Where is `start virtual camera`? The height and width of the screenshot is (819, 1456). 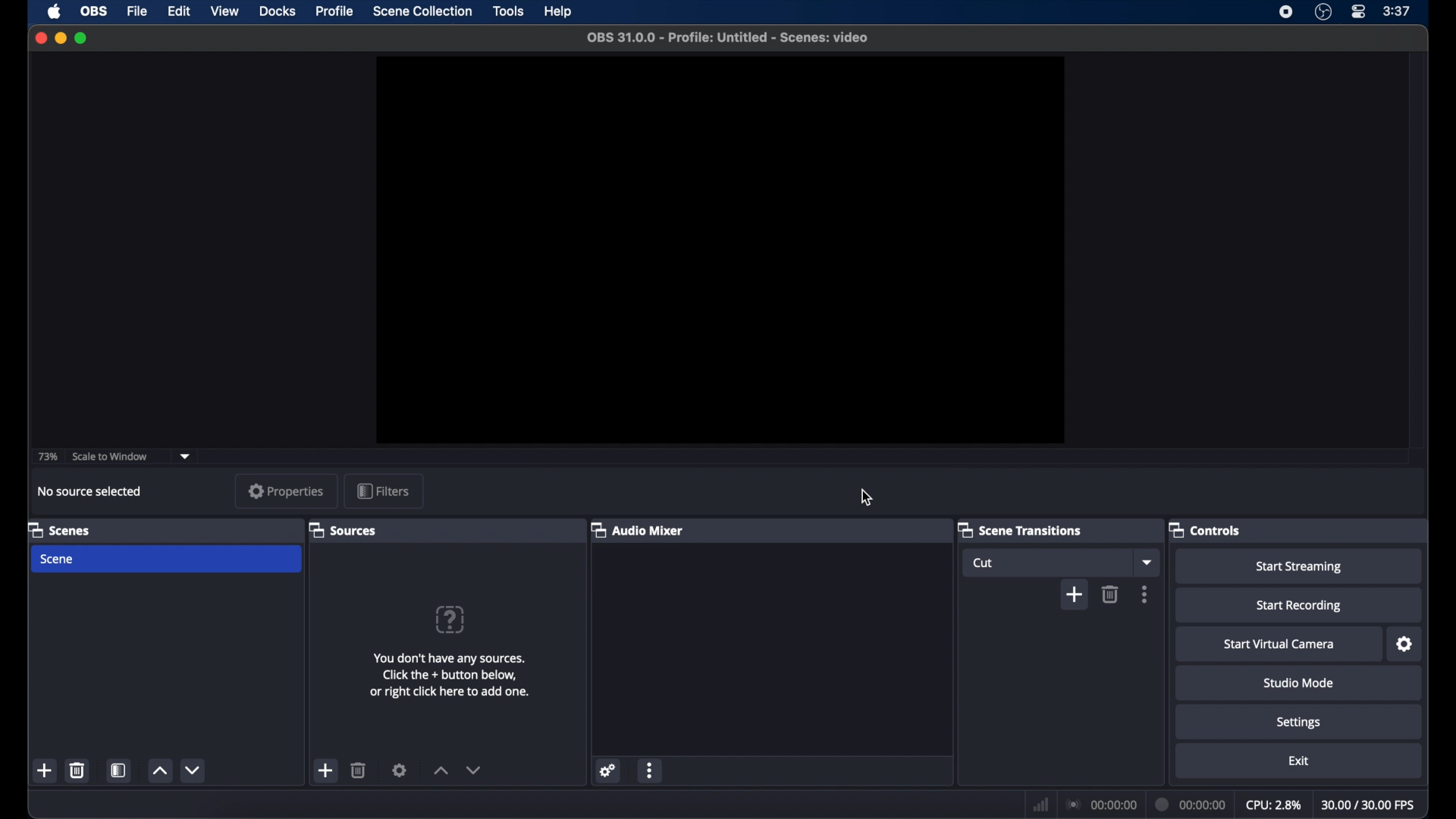
start virtual camera is located at coordinates (1279, 645).